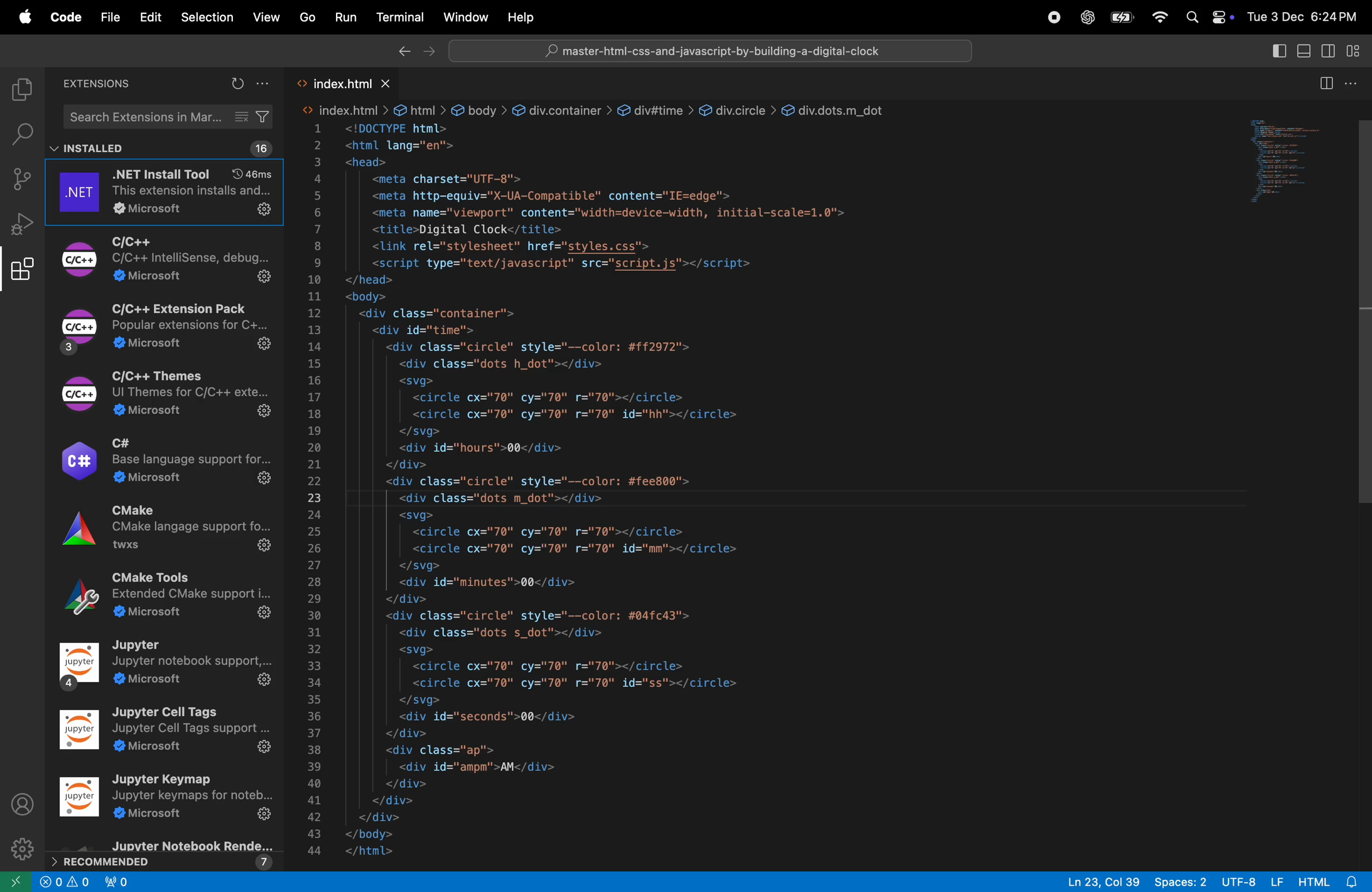 The height and width of the screenshot is (892, 1372). What do you see at coordinates (103, 85) in the screenshot?
I see `extensions` at bounding box center [103, 85].